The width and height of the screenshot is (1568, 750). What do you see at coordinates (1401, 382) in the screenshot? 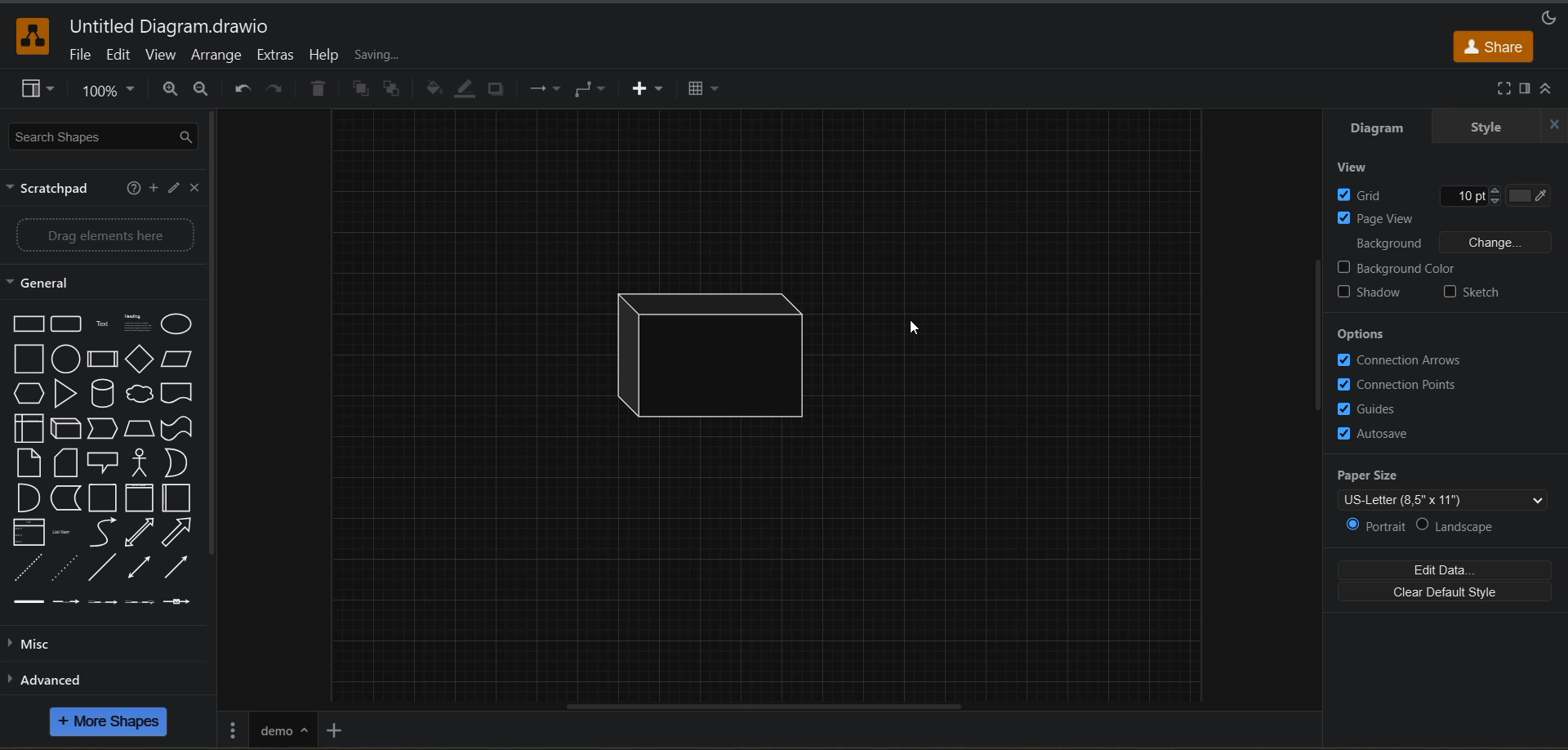
I see `connection points` at bounding box center [1401, 382].